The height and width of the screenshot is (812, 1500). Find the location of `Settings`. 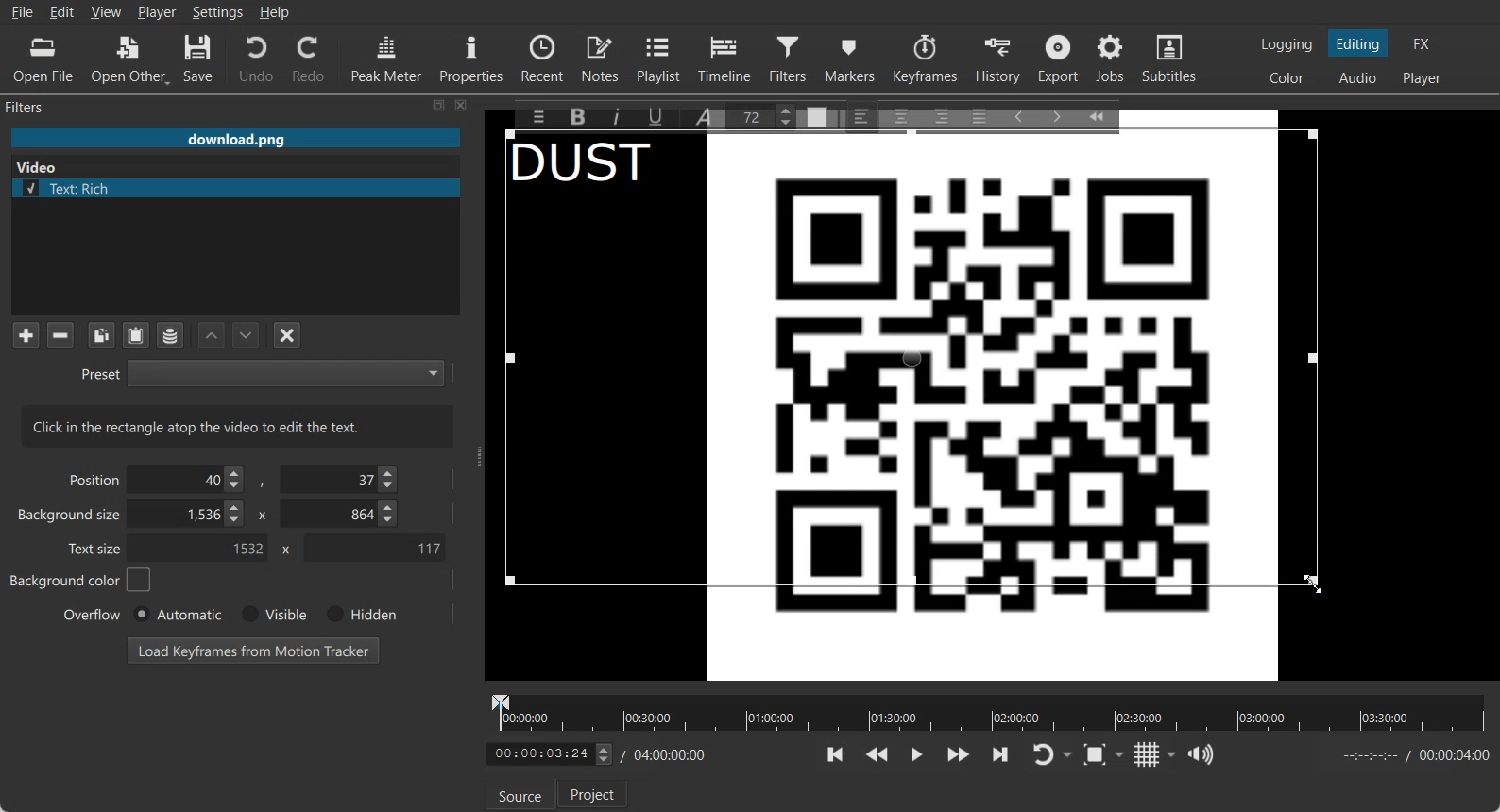

Settings is located at coordinates (218, 12).